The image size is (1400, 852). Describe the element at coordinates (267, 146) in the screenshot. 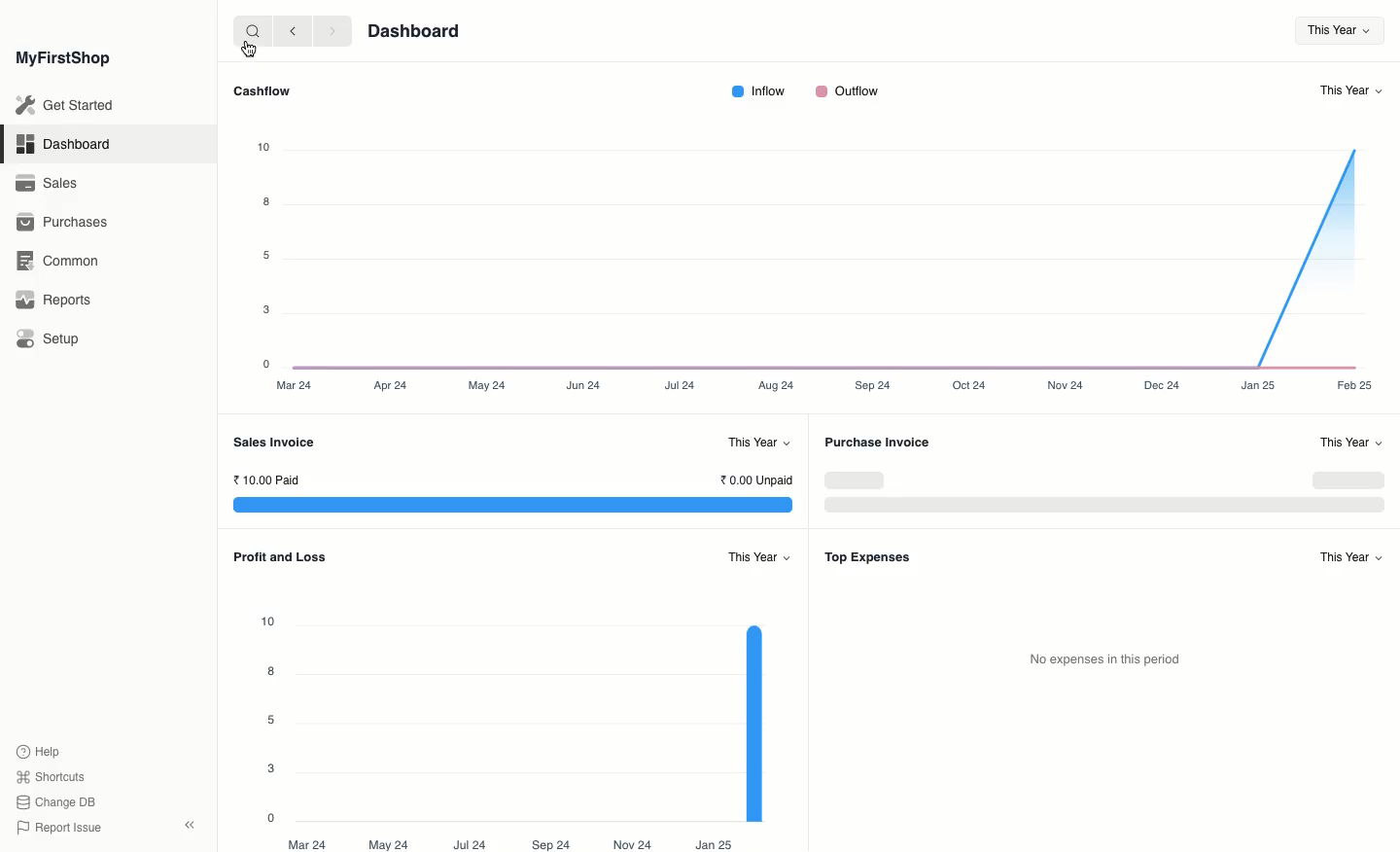

I see `10` at that location.